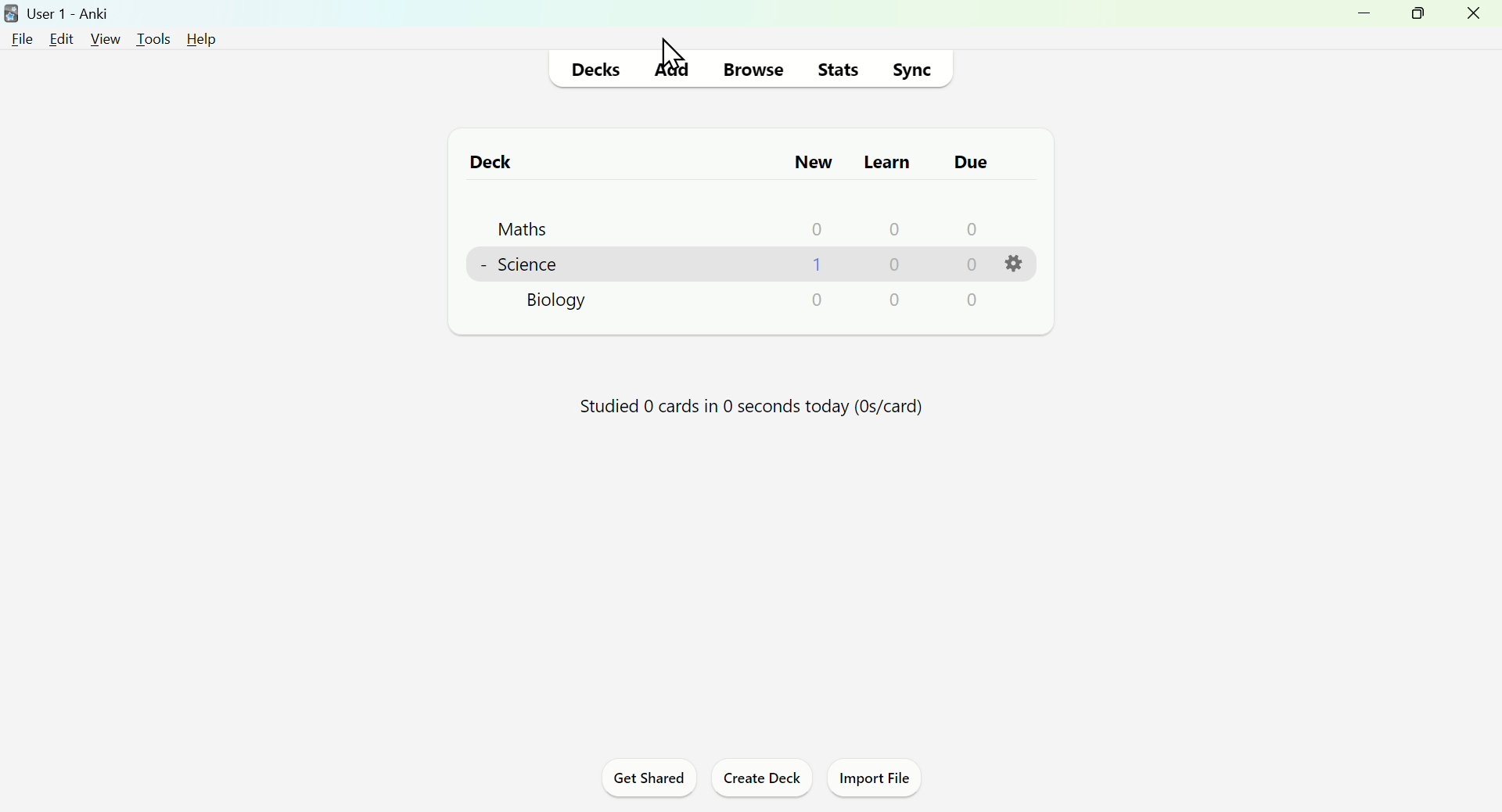 The width and height of the screenshot is (1502, 812). Describe the element at coordinates (650, 780) in the screenshot. I see `Get Shared` at that location.